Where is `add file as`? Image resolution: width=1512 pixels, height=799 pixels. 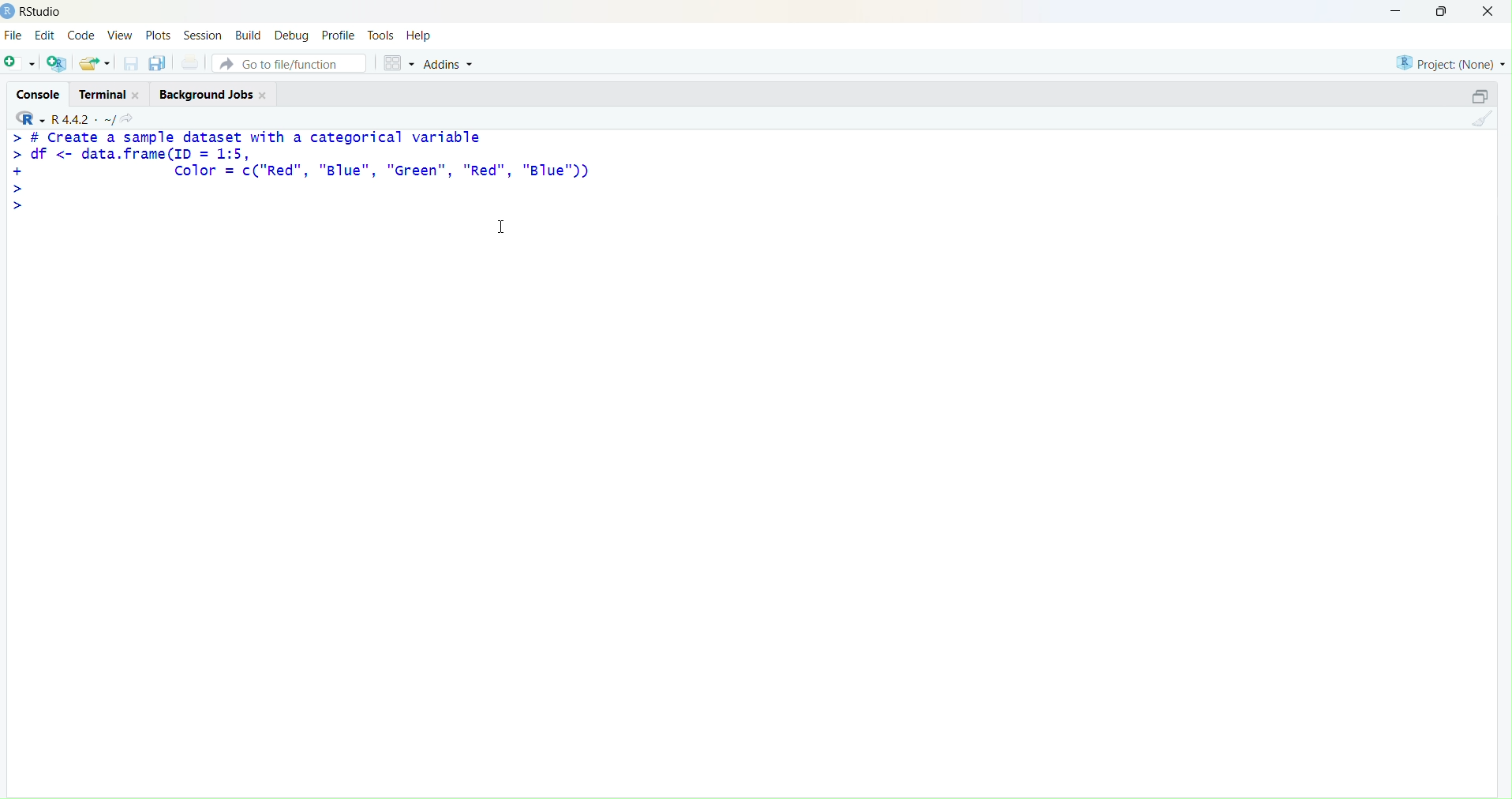 add file as is located at coordinates (22, 63).